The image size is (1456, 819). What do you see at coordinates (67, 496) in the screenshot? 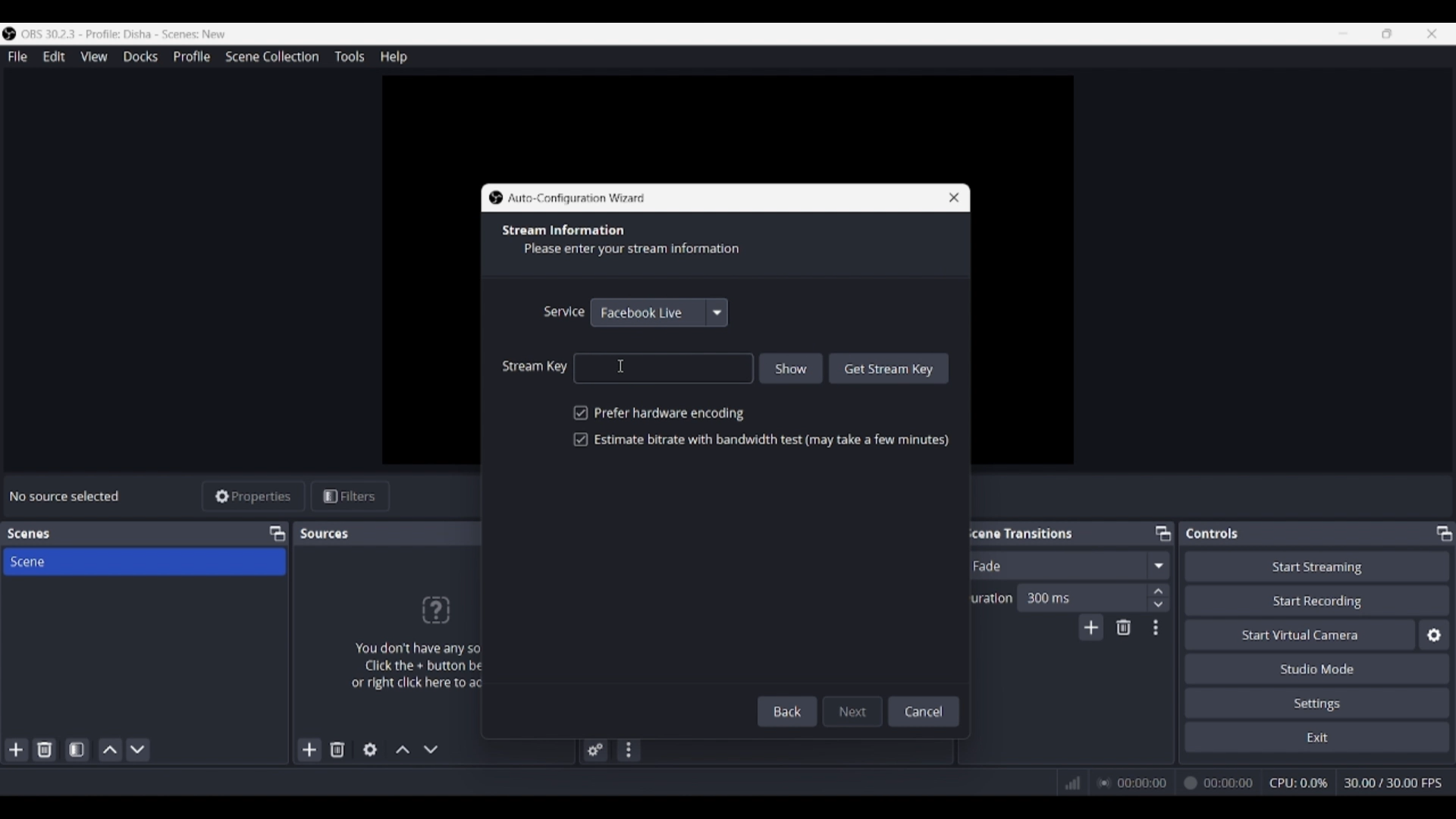
I see `Source status` at bounding box center [67, 496].